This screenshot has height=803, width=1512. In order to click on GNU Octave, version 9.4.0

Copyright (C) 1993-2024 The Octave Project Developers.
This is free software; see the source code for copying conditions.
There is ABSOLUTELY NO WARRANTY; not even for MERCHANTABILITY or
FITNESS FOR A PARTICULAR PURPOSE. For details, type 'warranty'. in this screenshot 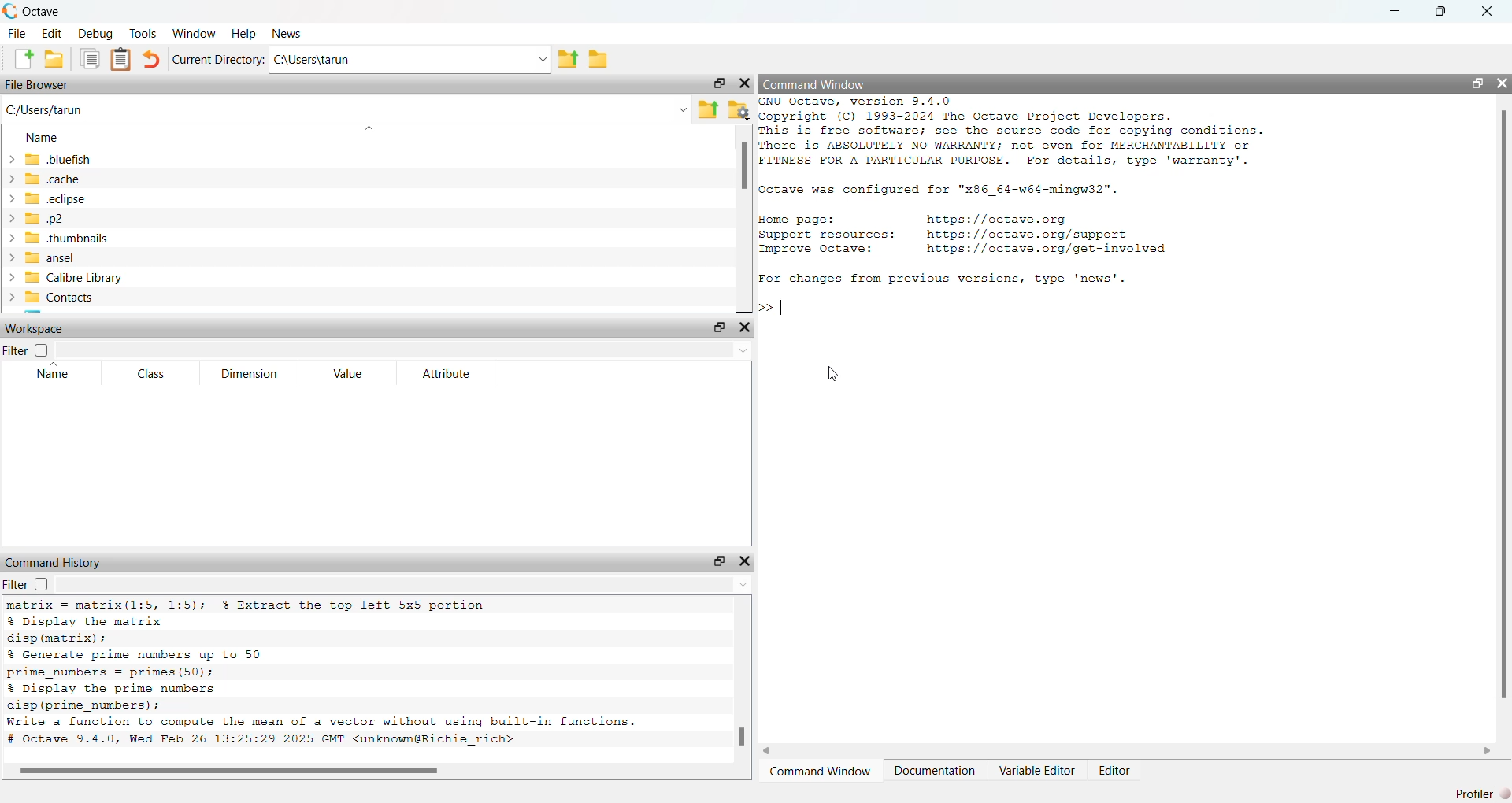, I will do `click(1011, 132)`.